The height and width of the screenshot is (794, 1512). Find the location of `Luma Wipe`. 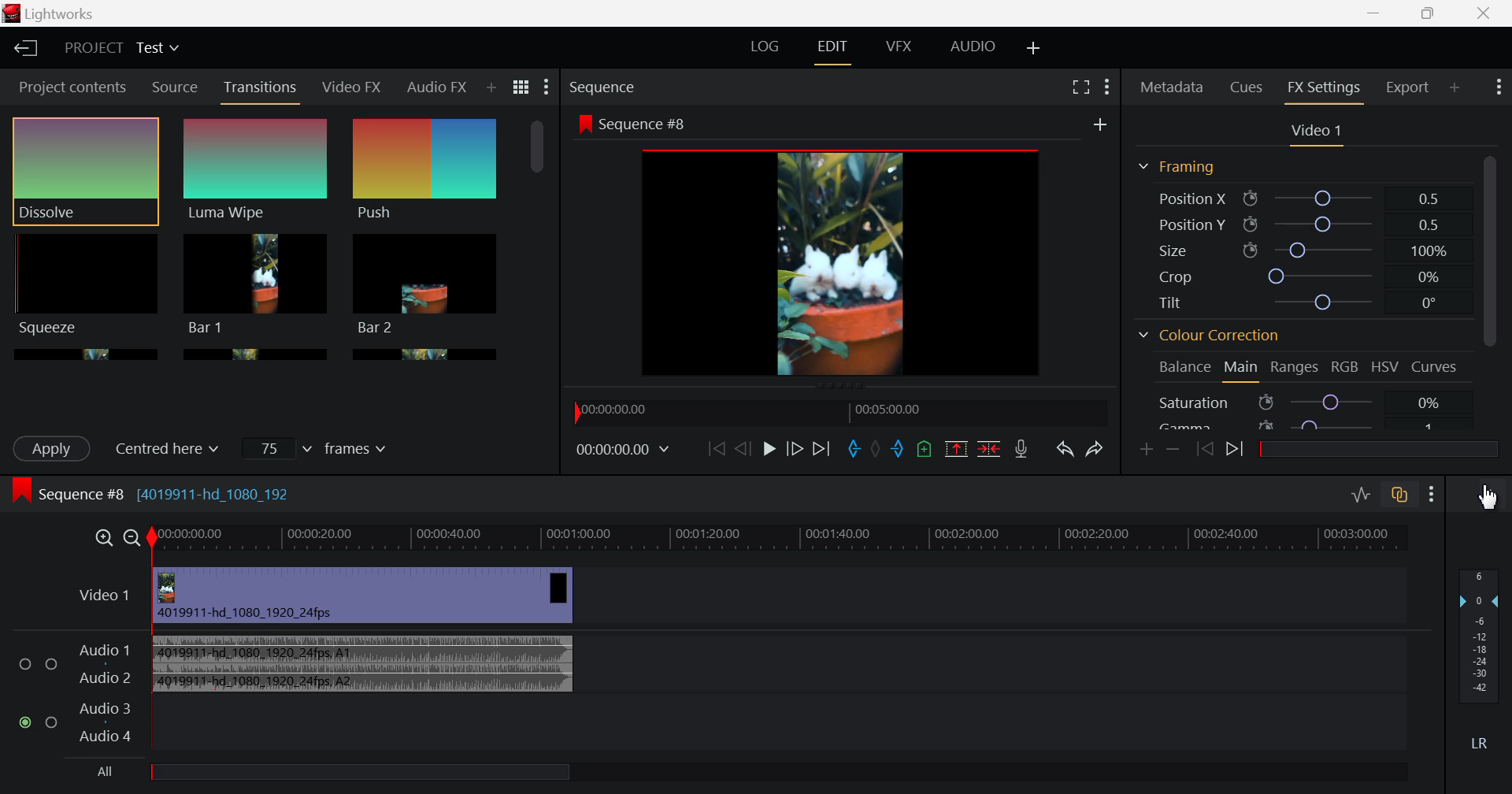

Luma Wipe is located at coordinates (256, 171).